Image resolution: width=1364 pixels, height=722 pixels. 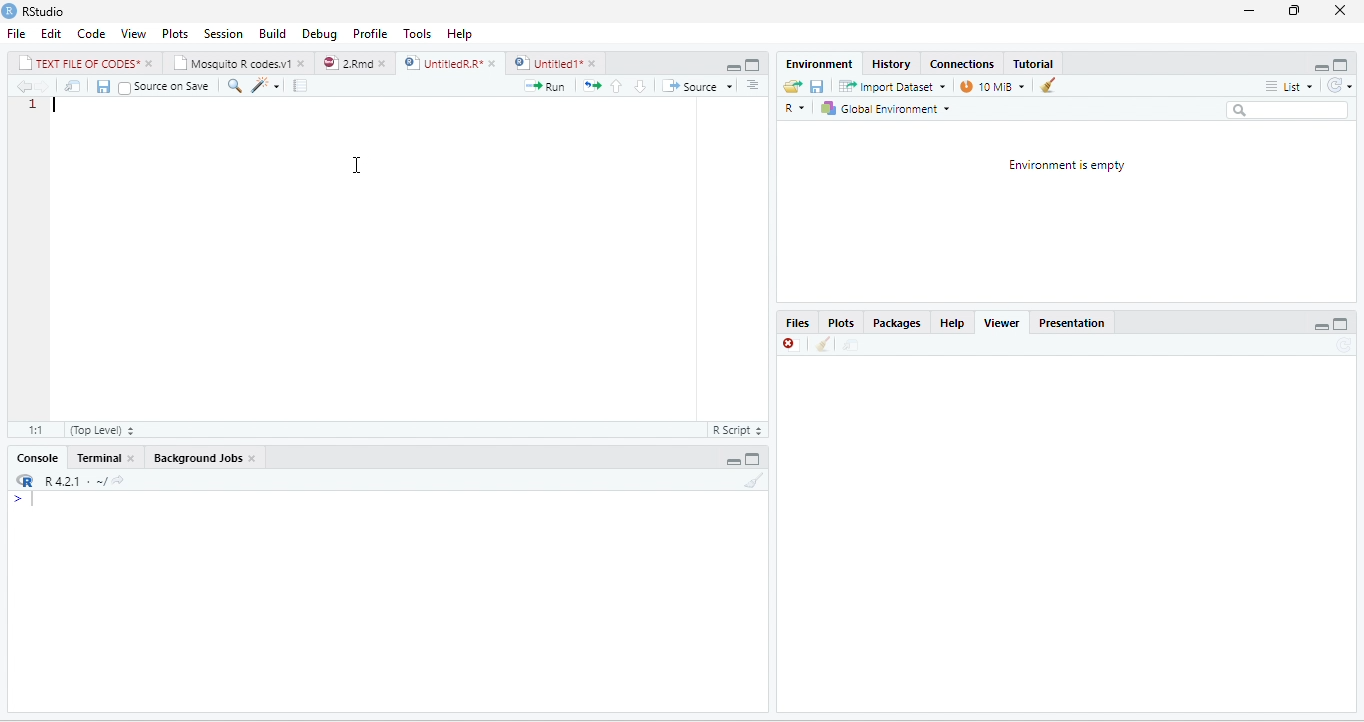 What do you see at coordinates (384, 62) in the screenshot?
I see `close` at bounding box center [384, 62].